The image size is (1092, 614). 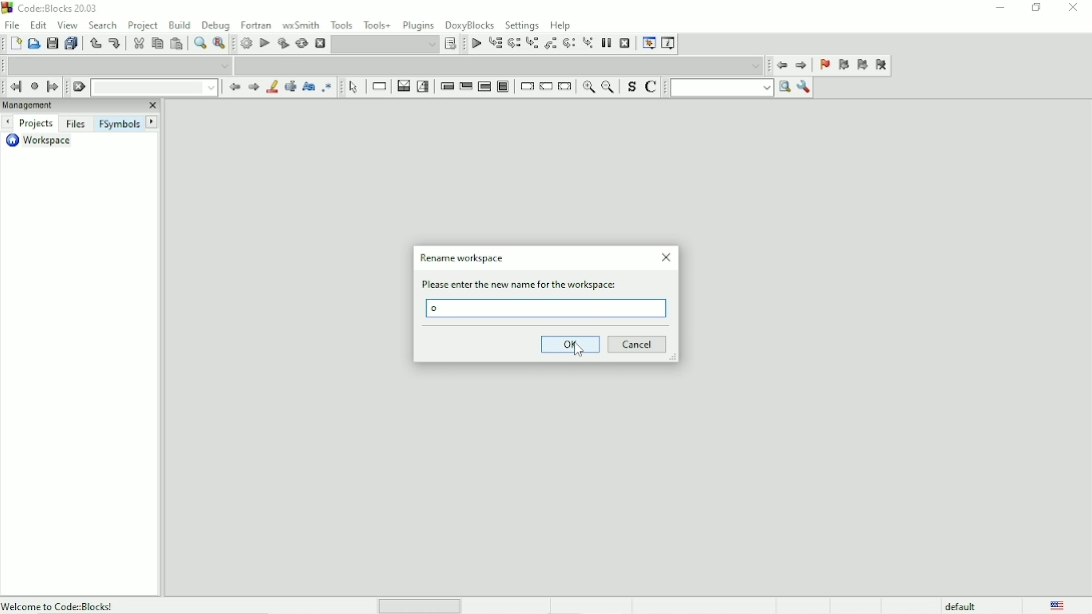 What do you see at coordinates (525, 285) in the screenshot?
I see `Please enter the new name for the workspace` at bounding box center [525, 285].